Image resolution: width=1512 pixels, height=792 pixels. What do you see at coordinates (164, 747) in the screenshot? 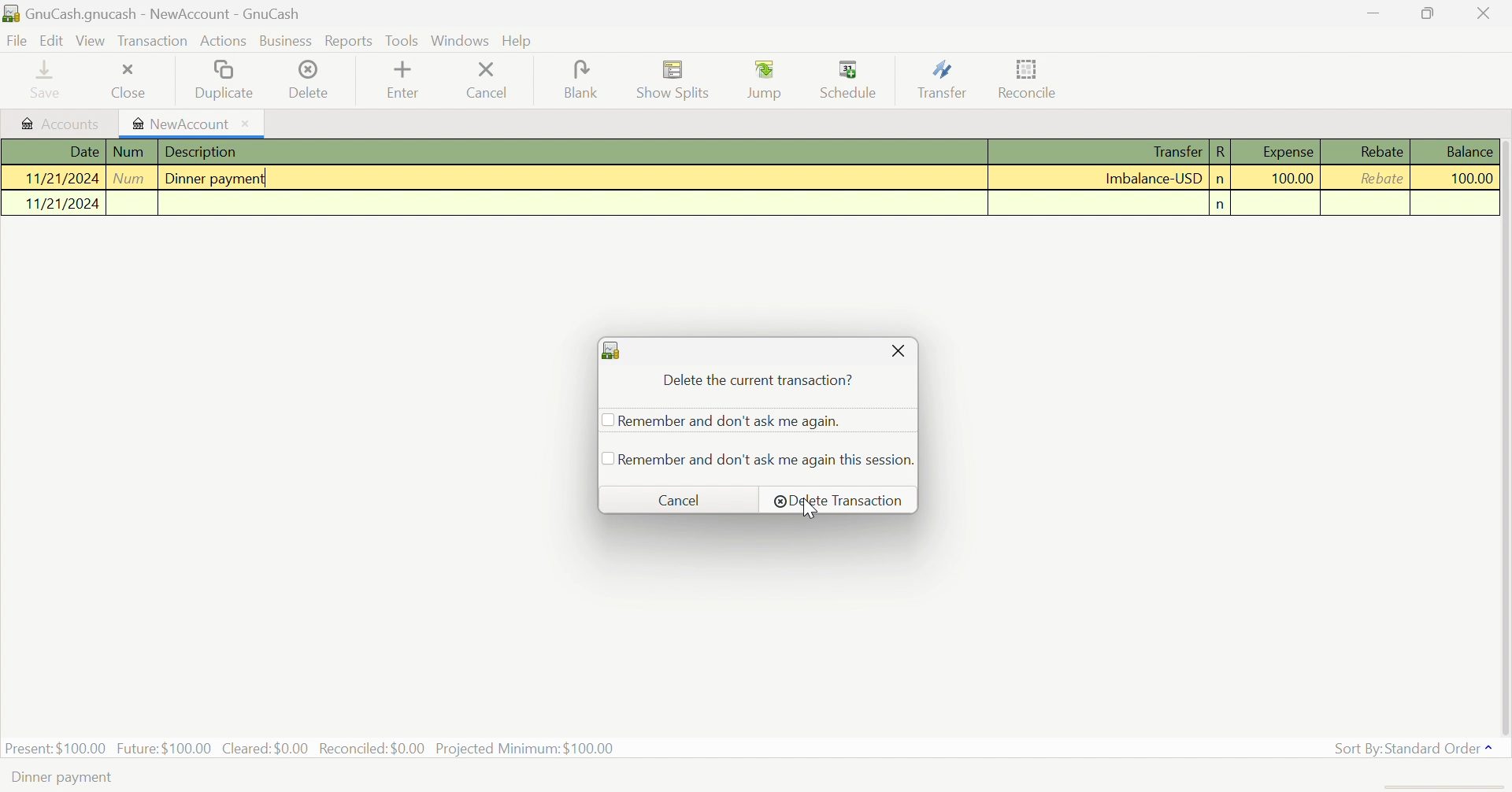
I see `Future: $100.00` at bounding box center [164, 747].